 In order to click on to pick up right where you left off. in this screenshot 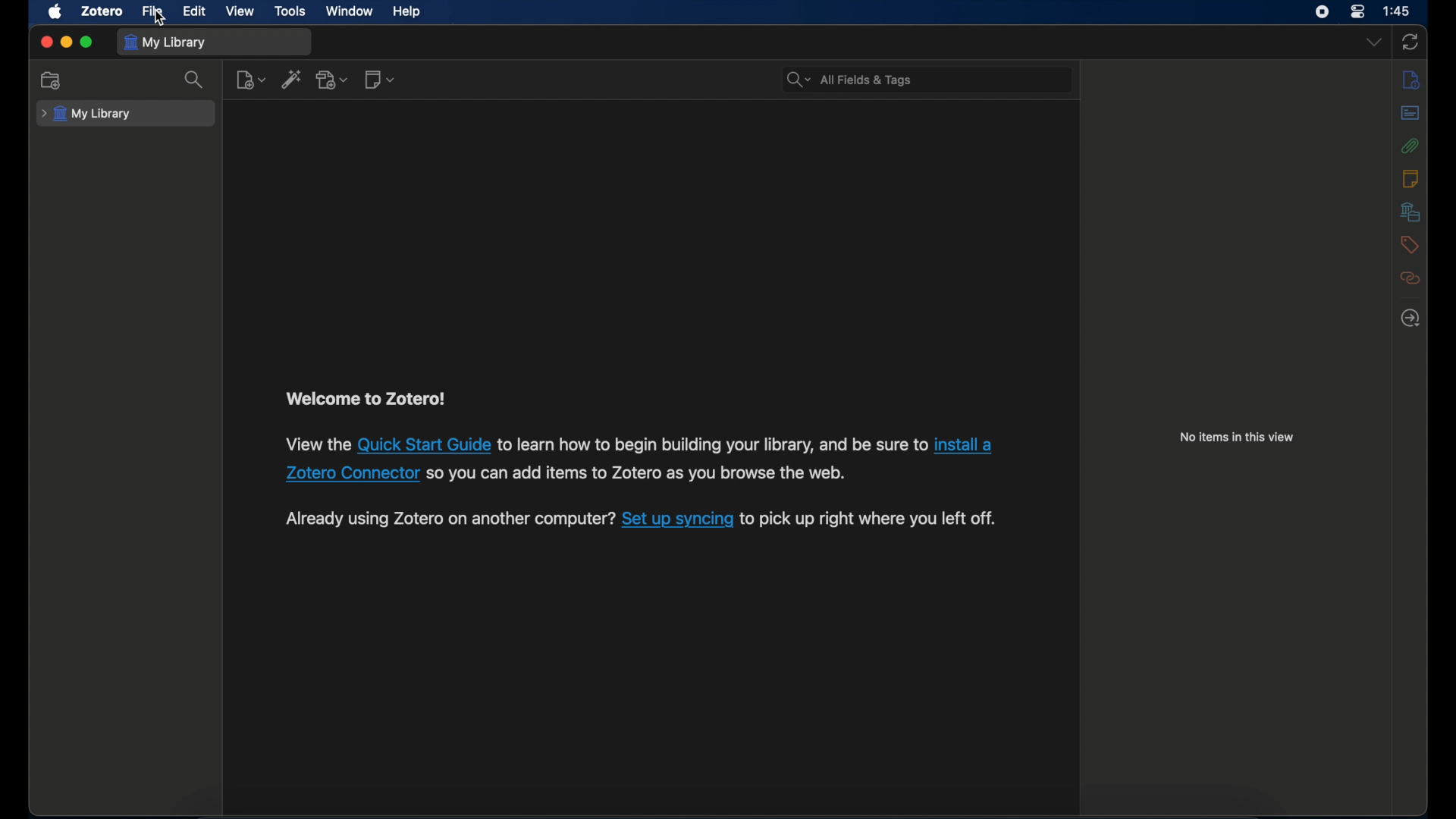, I will do `click(871, 518)`.